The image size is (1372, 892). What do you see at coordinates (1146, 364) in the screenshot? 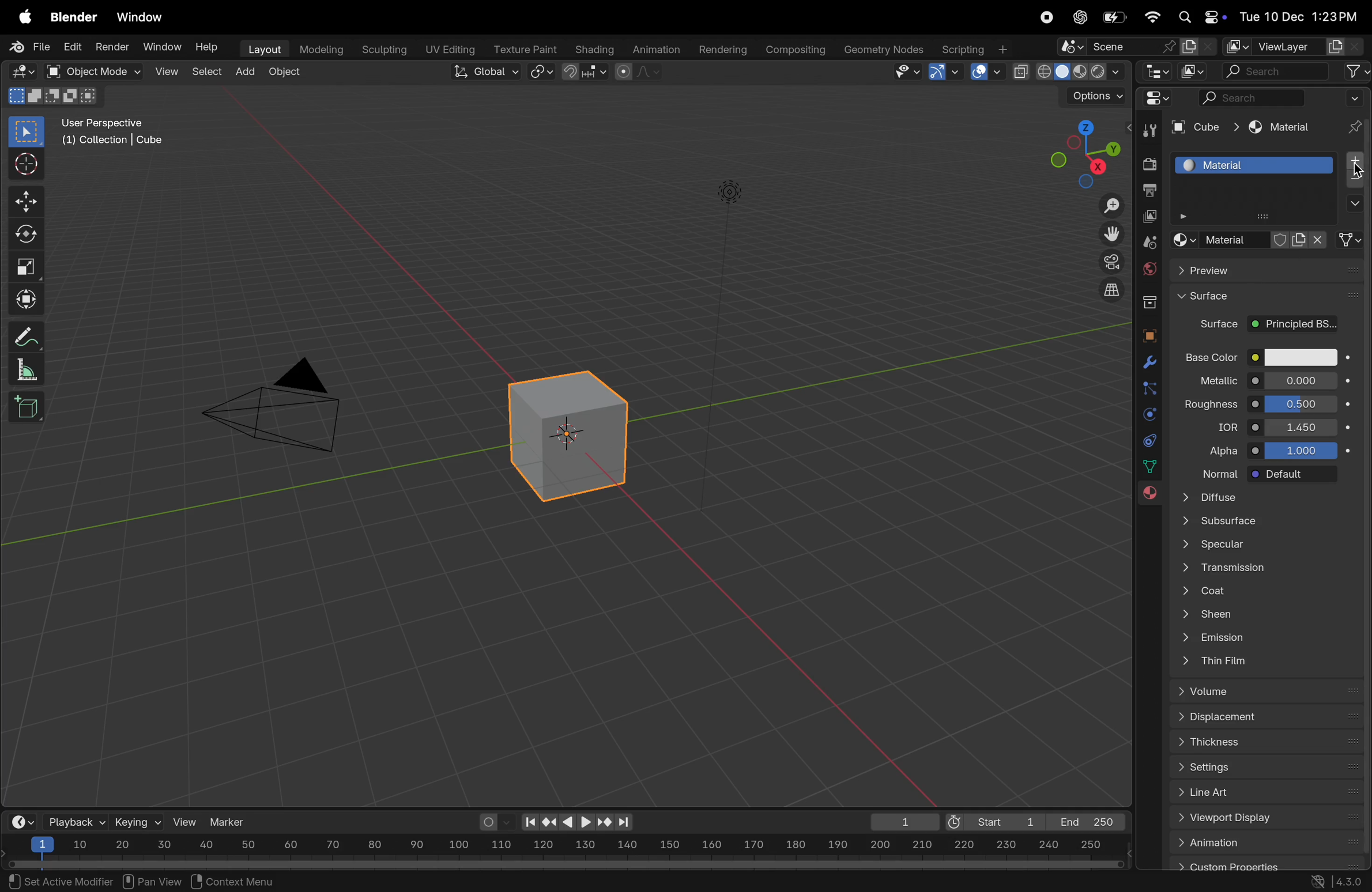
I see `modifiers` at bounding box center [1146, 364].